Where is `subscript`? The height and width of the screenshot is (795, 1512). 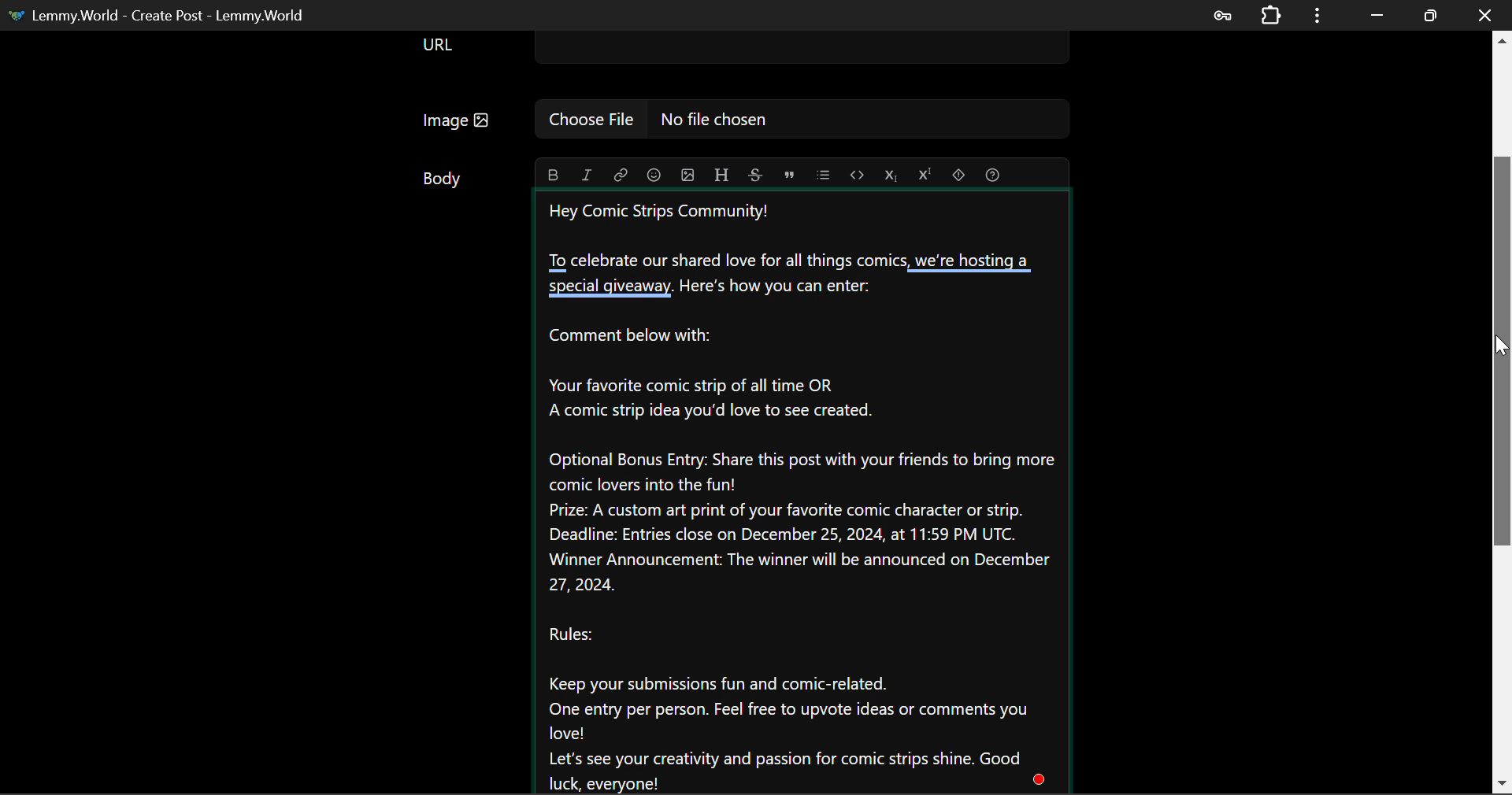
subscript is located at coordinates (891, 173).